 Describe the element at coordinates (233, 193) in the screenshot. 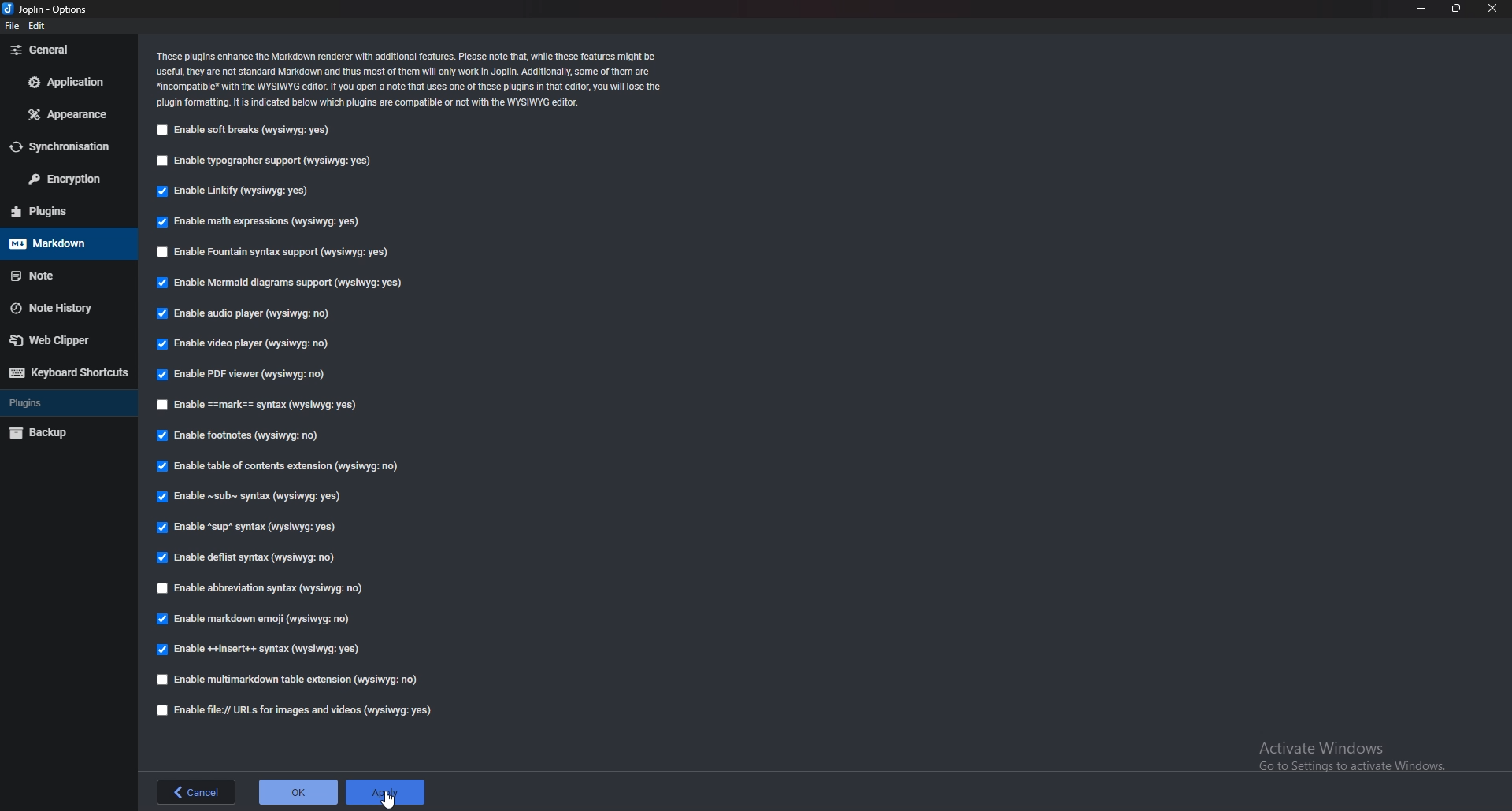

I see `Enable linkify` at that location.